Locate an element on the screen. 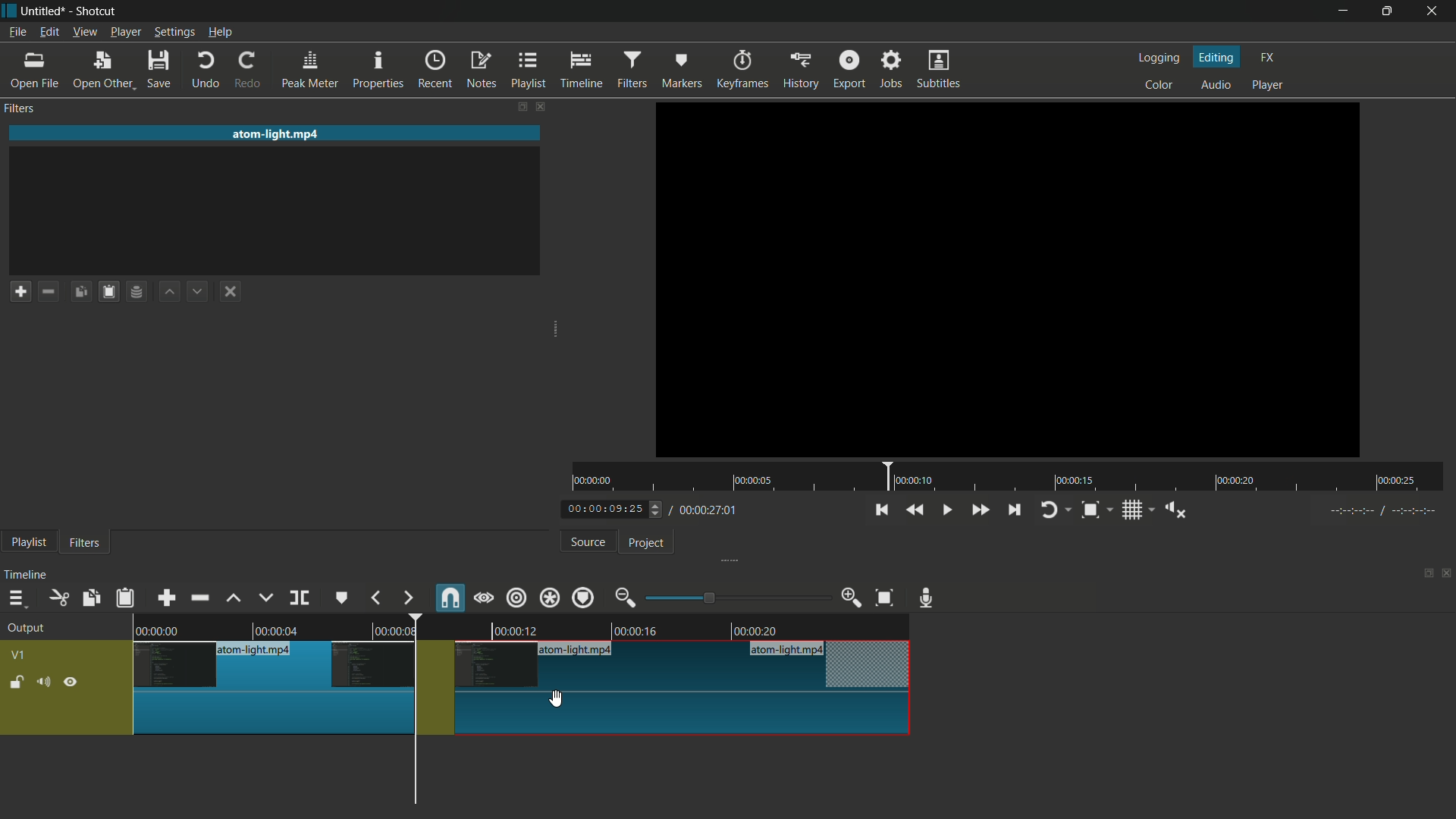  cut is located at coordinates (60, 598).